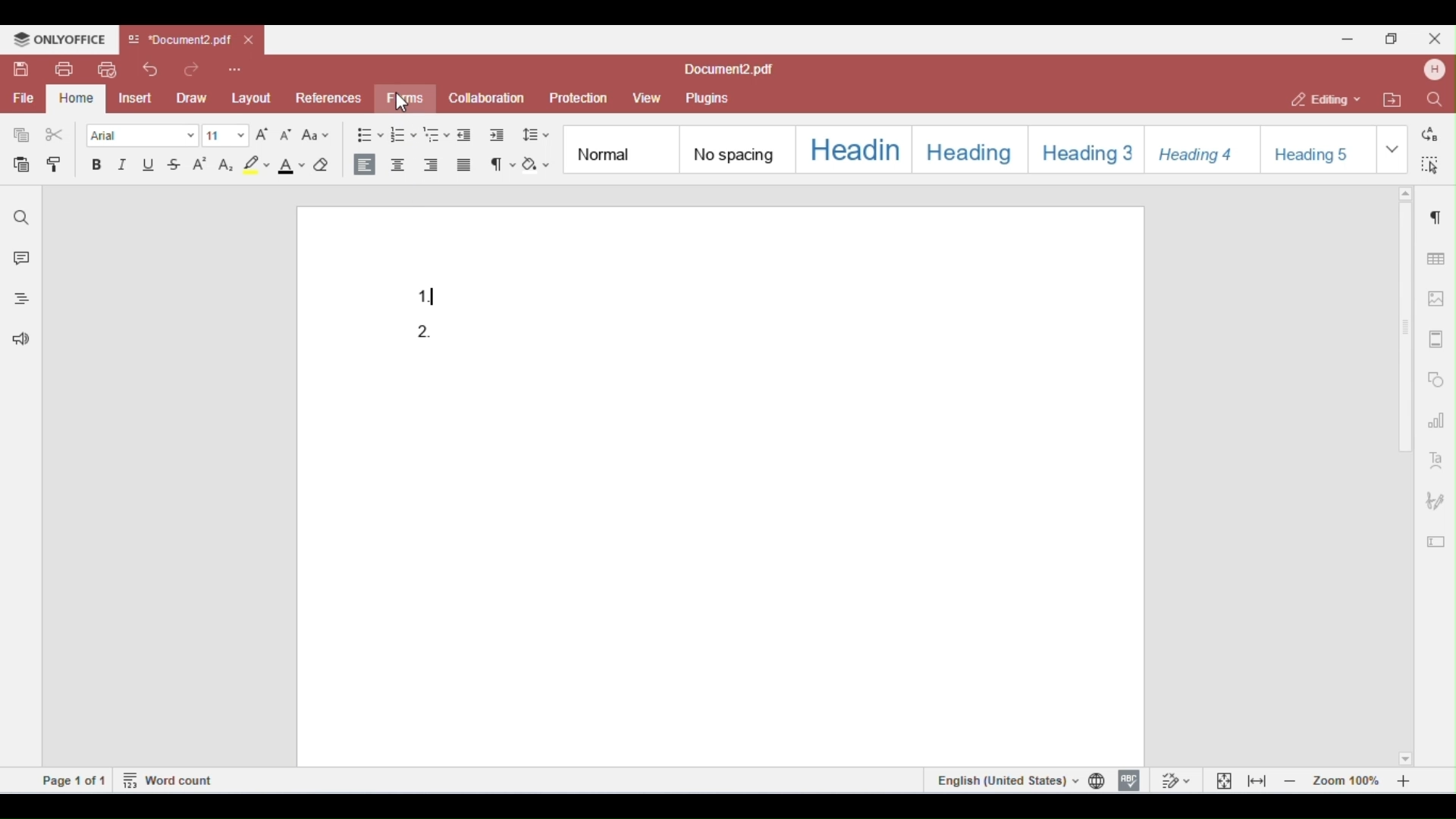 The image size is (1456, 819). I want to click on image settings, so click(1437, 299).